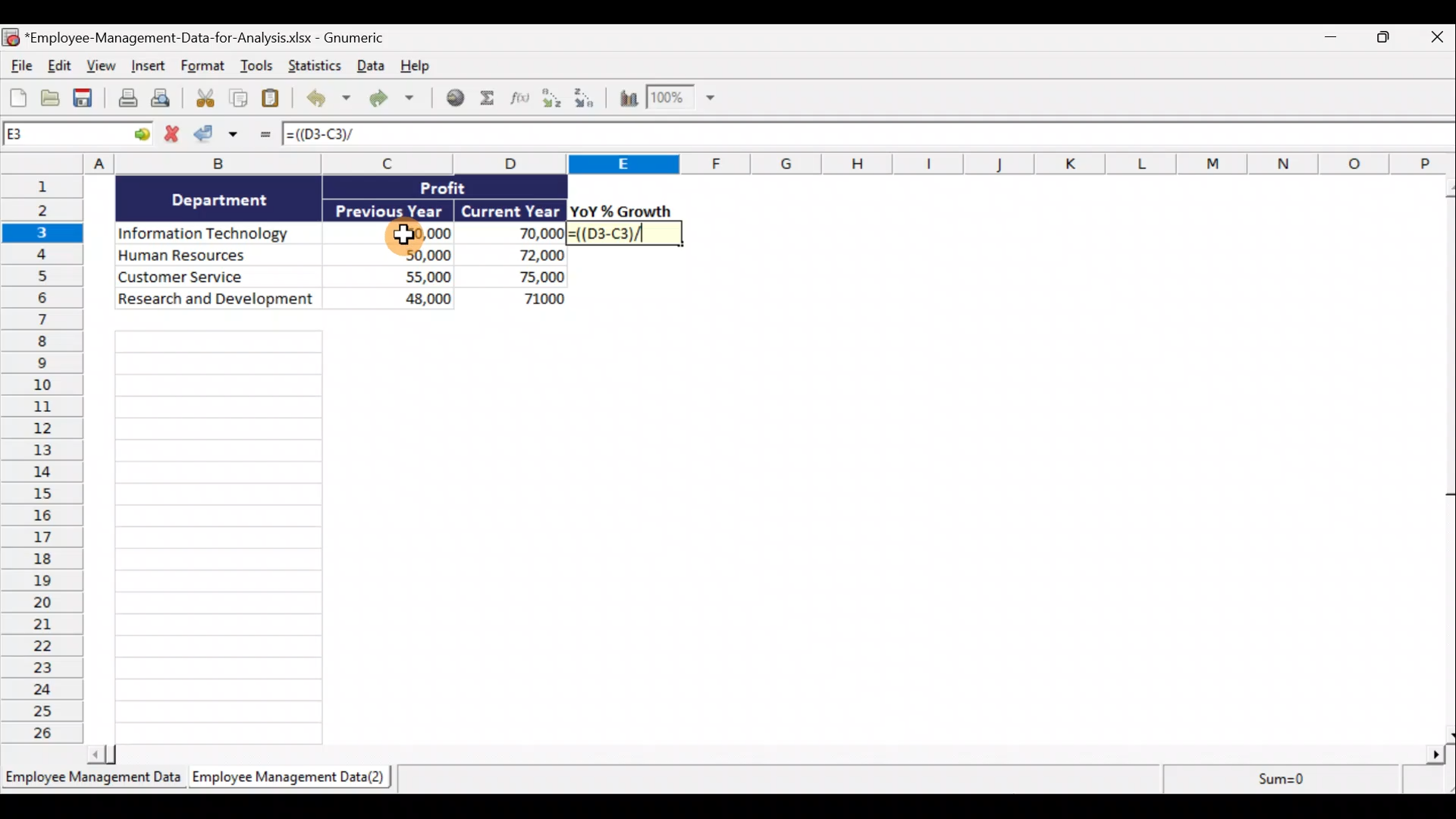 The height and width of the screenshot is (819, 1456). Describe the element at coordinates (627, 236) in the screenshot. I see `=((D3-C3)/` at that location.